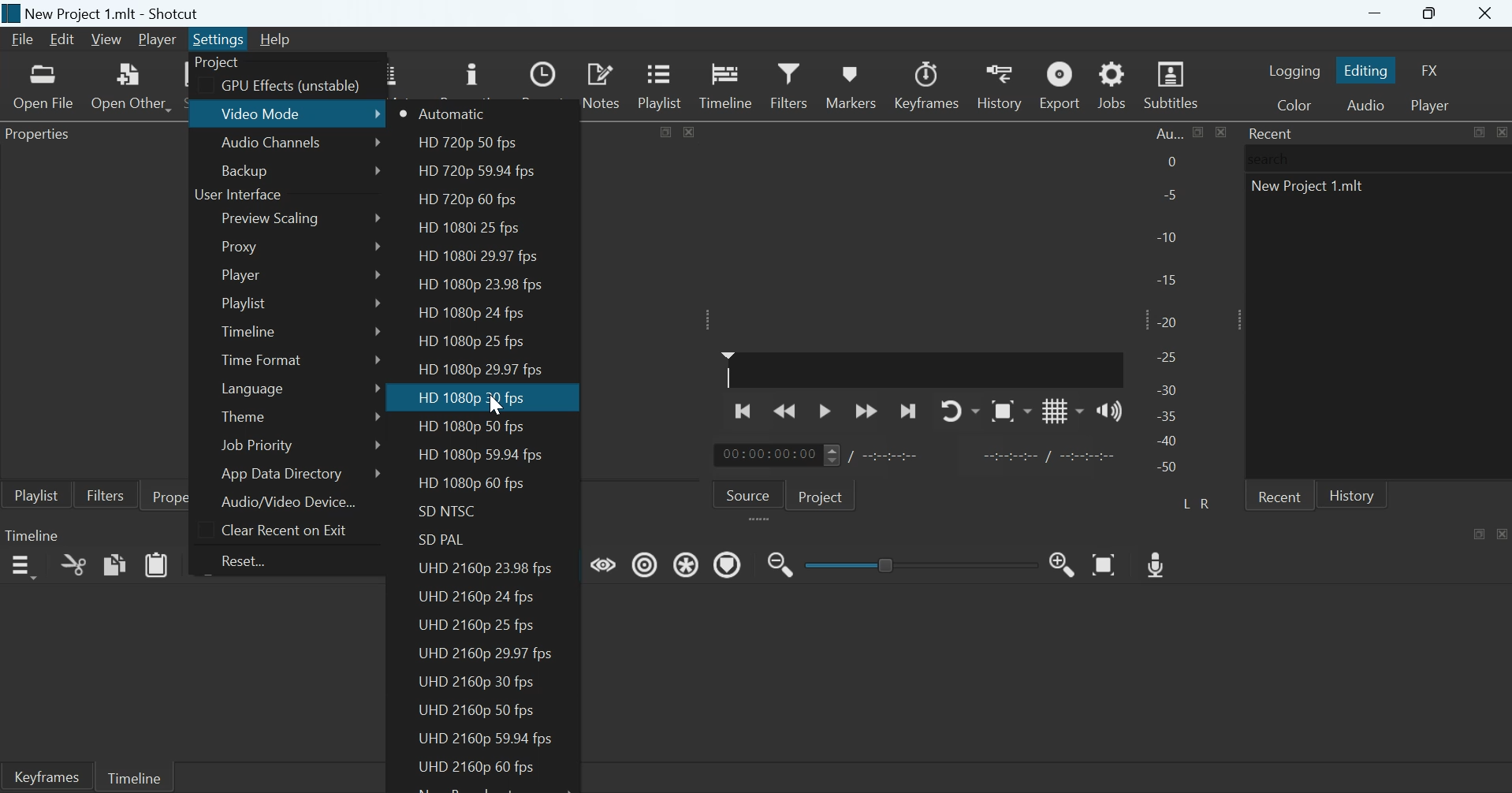 The image size is (1512, 793). Describe the element at coordinates (468, 485) in the screenshot. I see `HD 1080p 60fps` at that location.